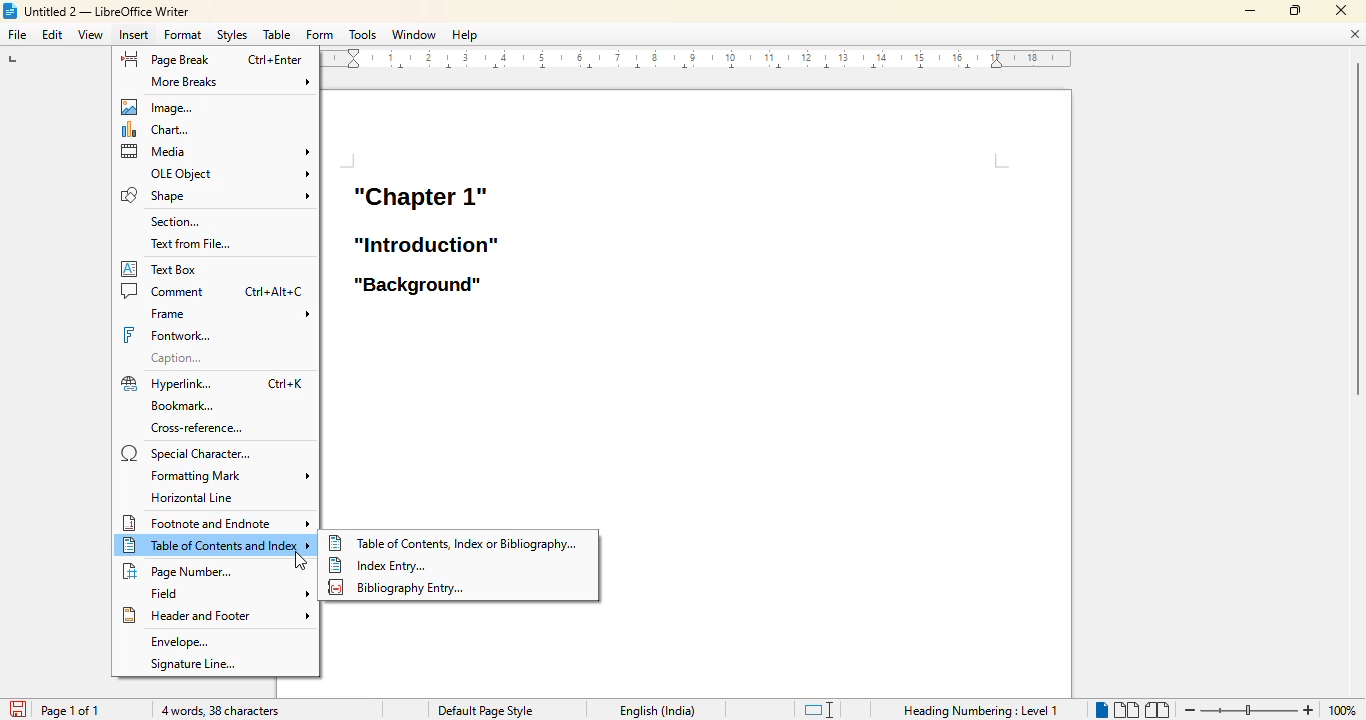  Describe the element at coordinates (1353, 312) in the screenshot. I see `vertical scroll bar` at that location.